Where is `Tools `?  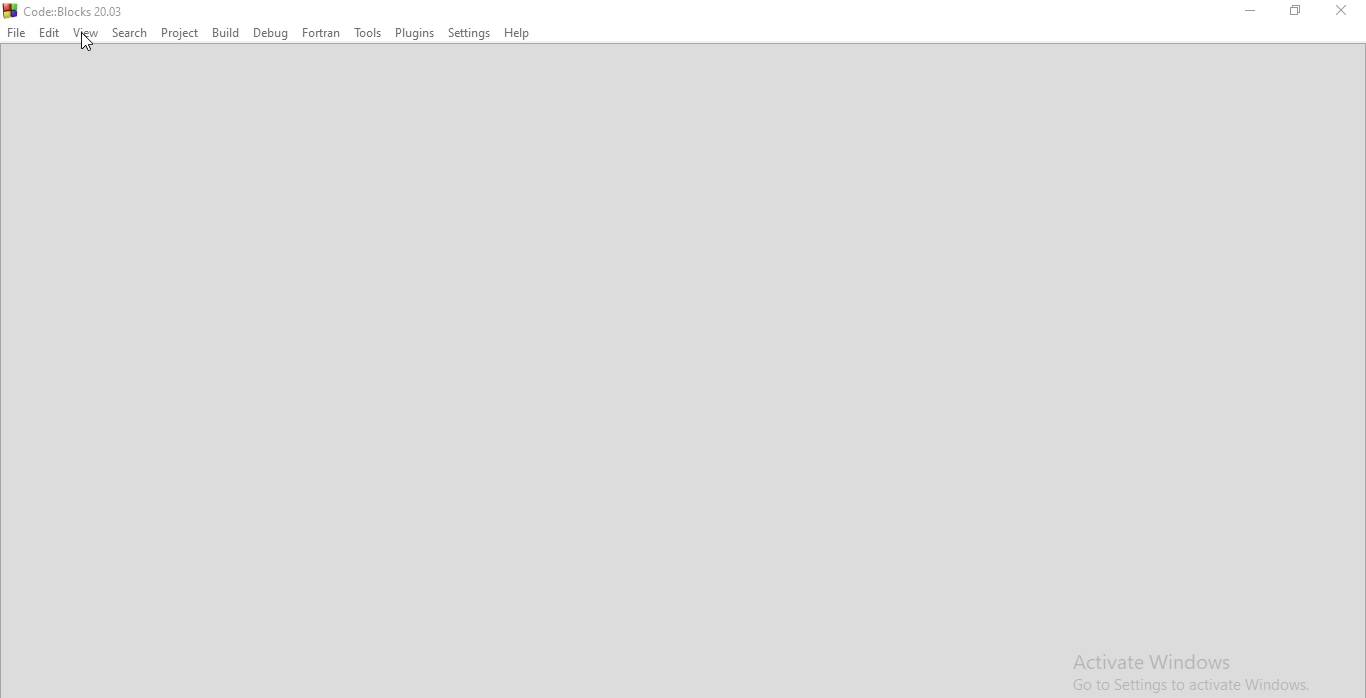 Tools  is located at coordinates (367, 32).